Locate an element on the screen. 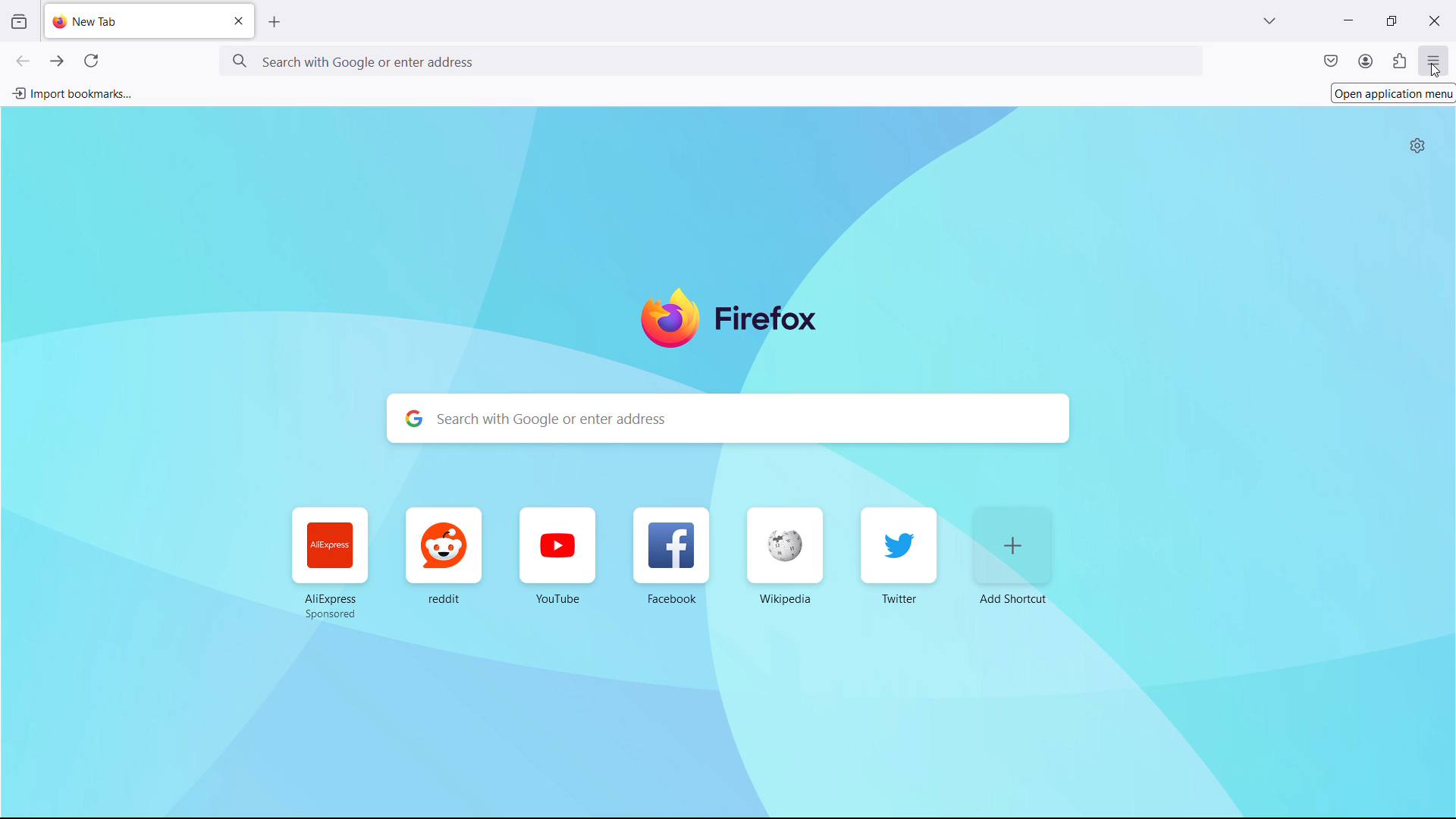 The image size is (1456, 819). go forward one page, right click or pull down to show history is located at coordinates (57, 61).